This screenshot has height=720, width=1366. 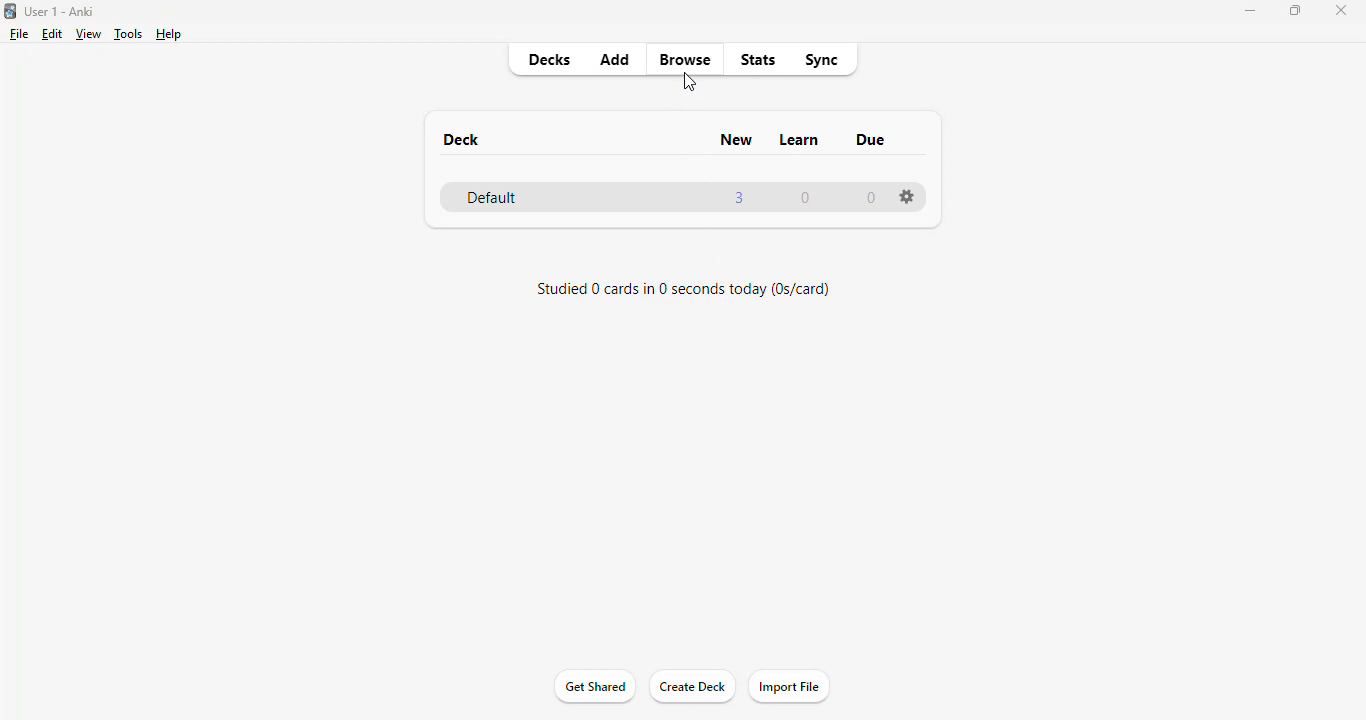 What do you see at coordinates (491, 197) in the screenshot?
I see `default` at bounding box center [491, 197].